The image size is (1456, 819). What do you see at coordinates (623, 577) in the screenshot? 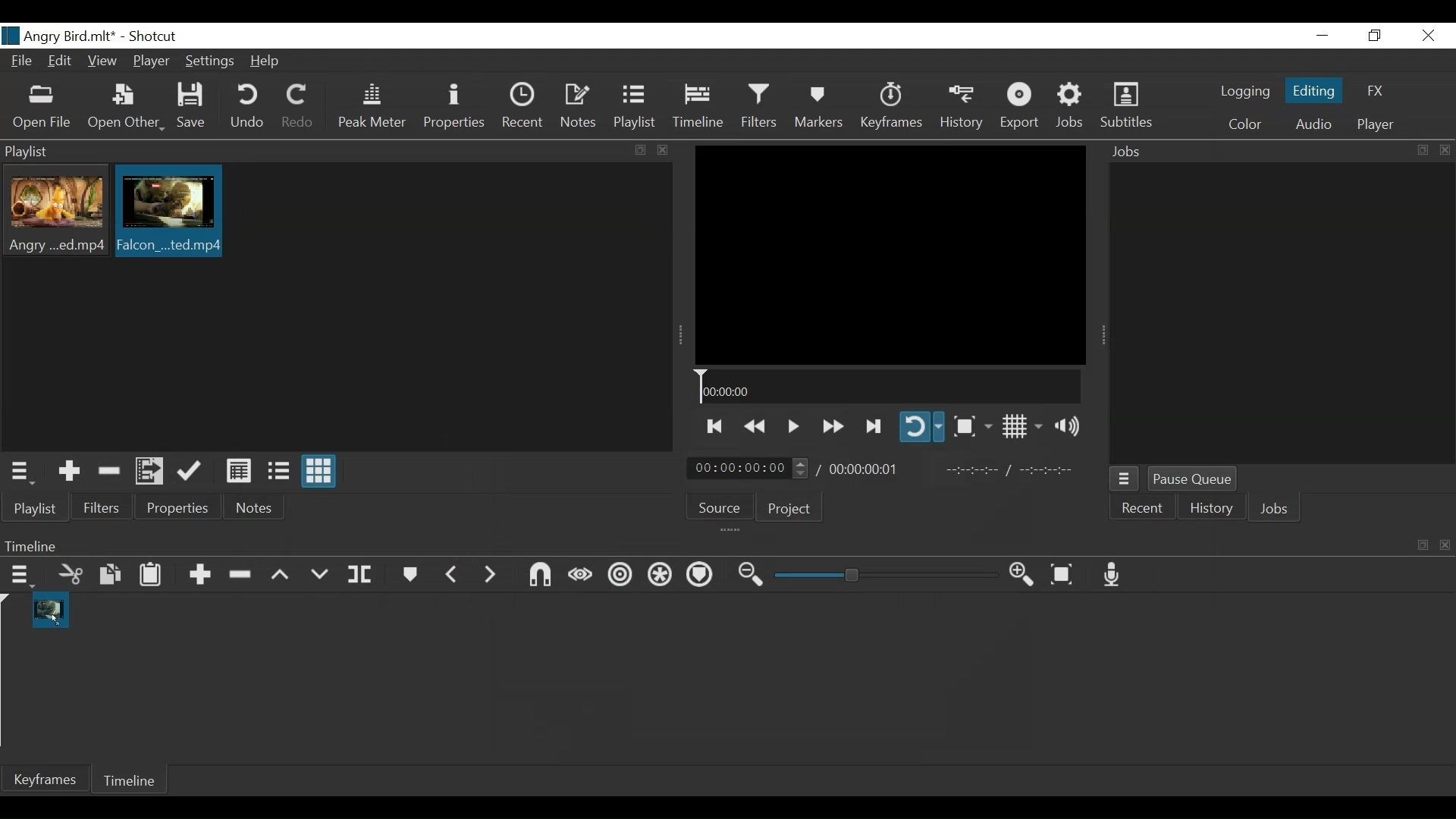
I see `Ripple` at bounding box center [623, 577].